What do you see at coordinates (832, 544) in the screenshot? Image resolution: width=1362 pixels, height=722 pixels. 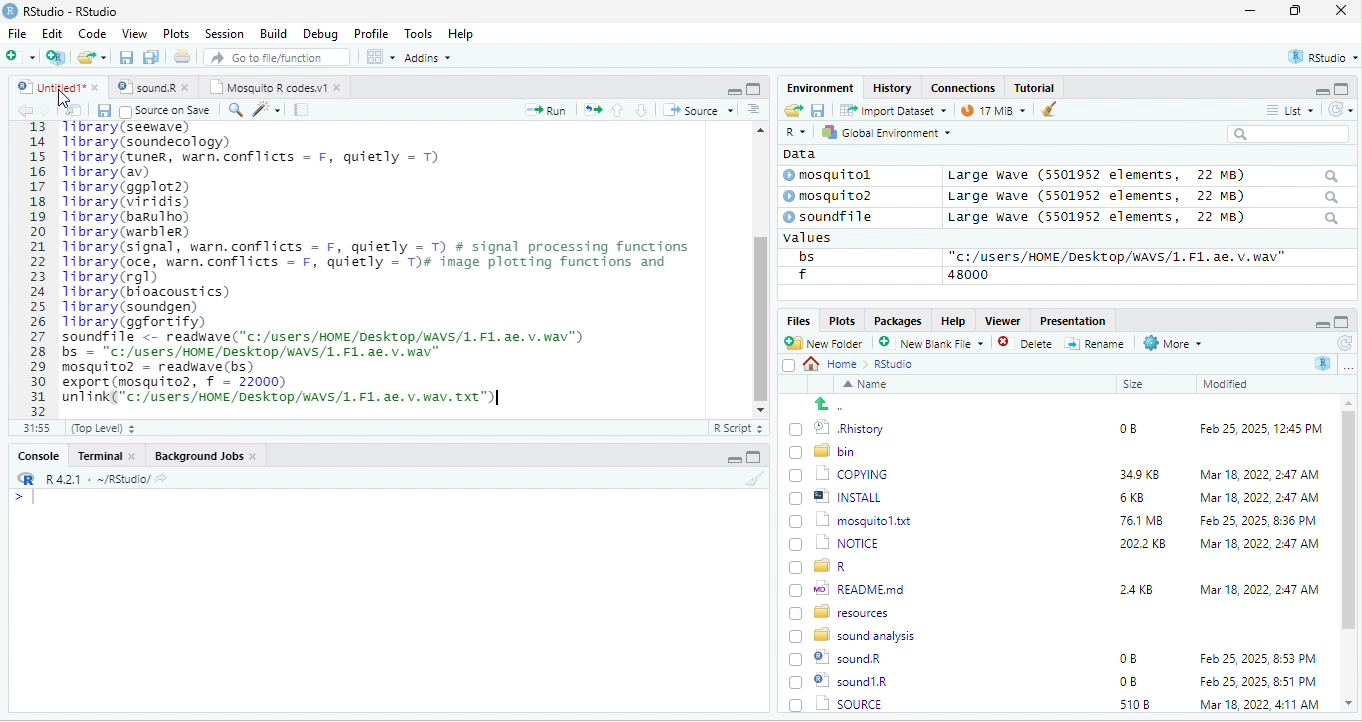 I see `(7) 1 NOTICE` at bounding box center [832, 544].